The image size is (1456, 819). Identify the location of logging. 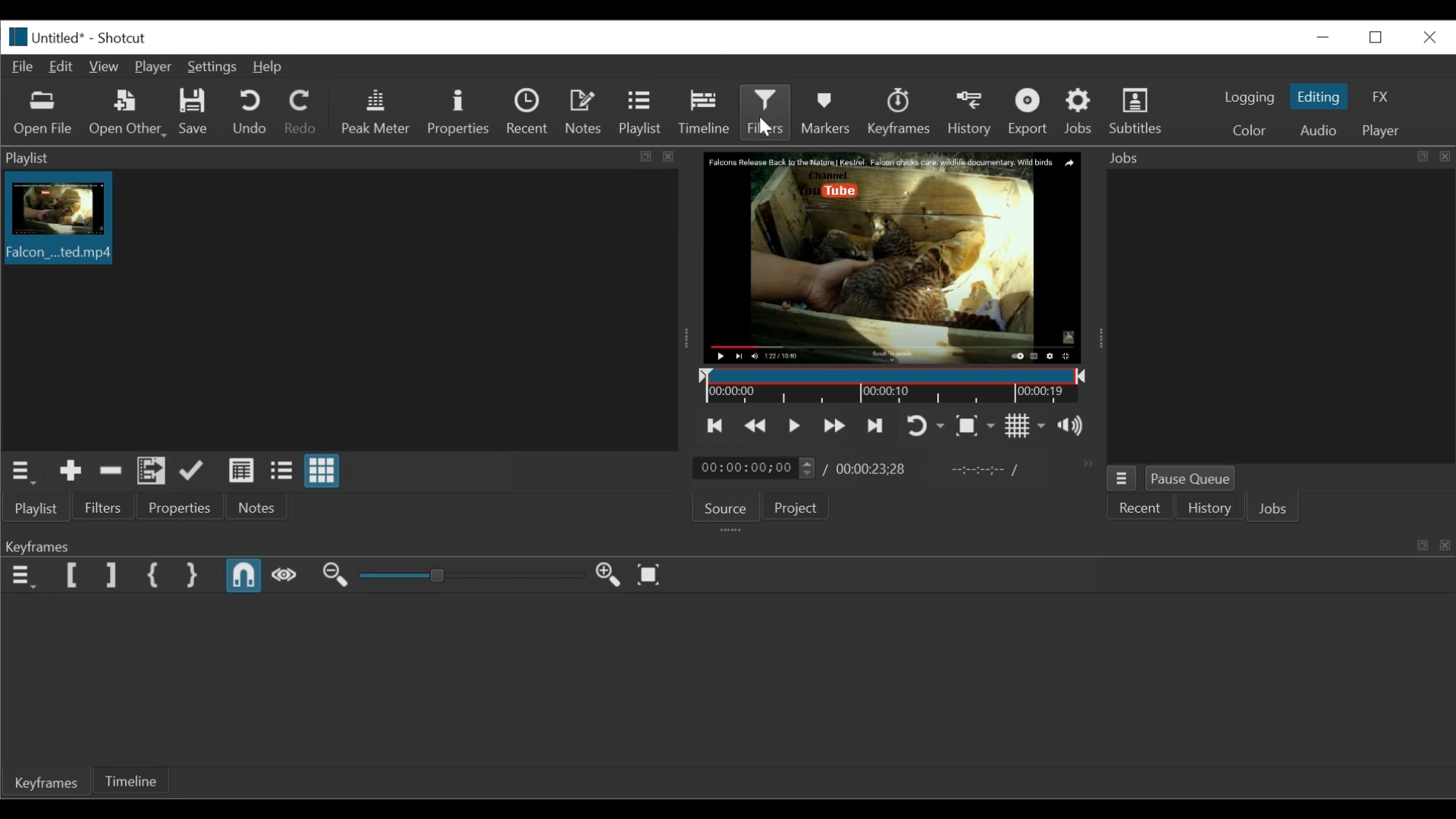
(1248, 99).